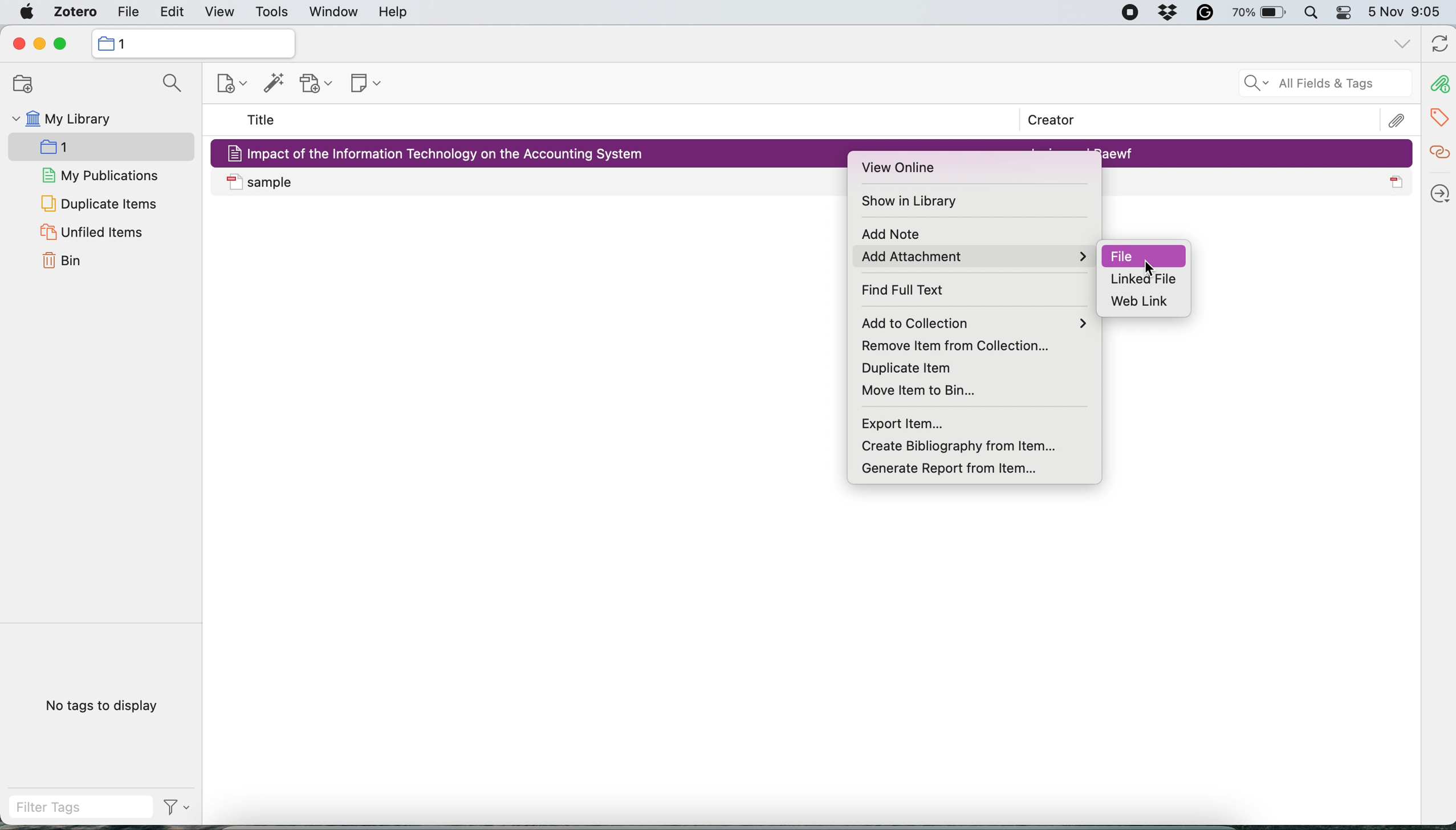 This screenshot has width=1456, height=830. What do you see at coordinates (332, 13) in the screenshot?
I see `window` at bounding box center [332, 13].